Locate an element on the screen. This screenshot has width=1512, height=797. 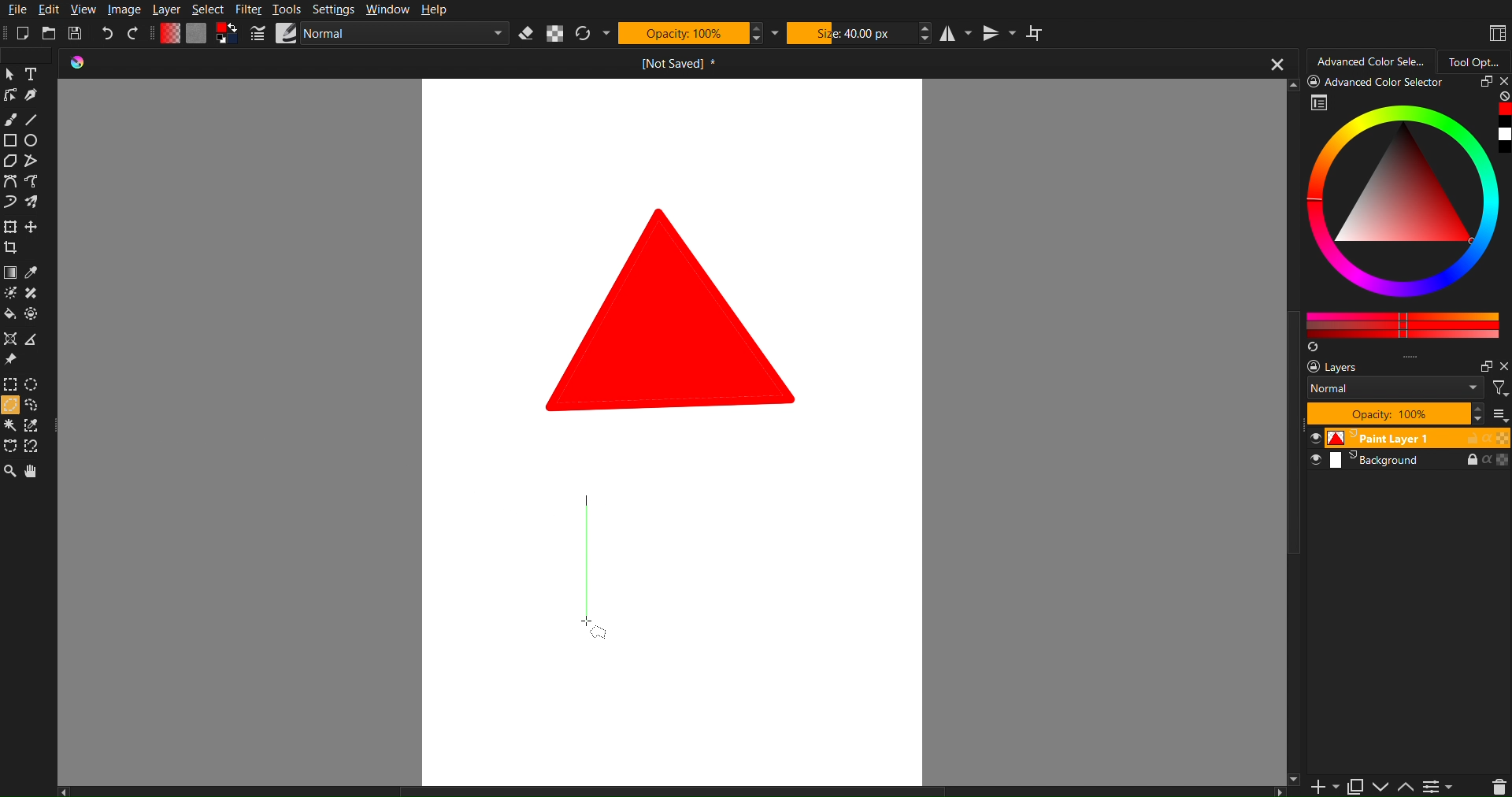
Erase is located at coordinates (530, 34).